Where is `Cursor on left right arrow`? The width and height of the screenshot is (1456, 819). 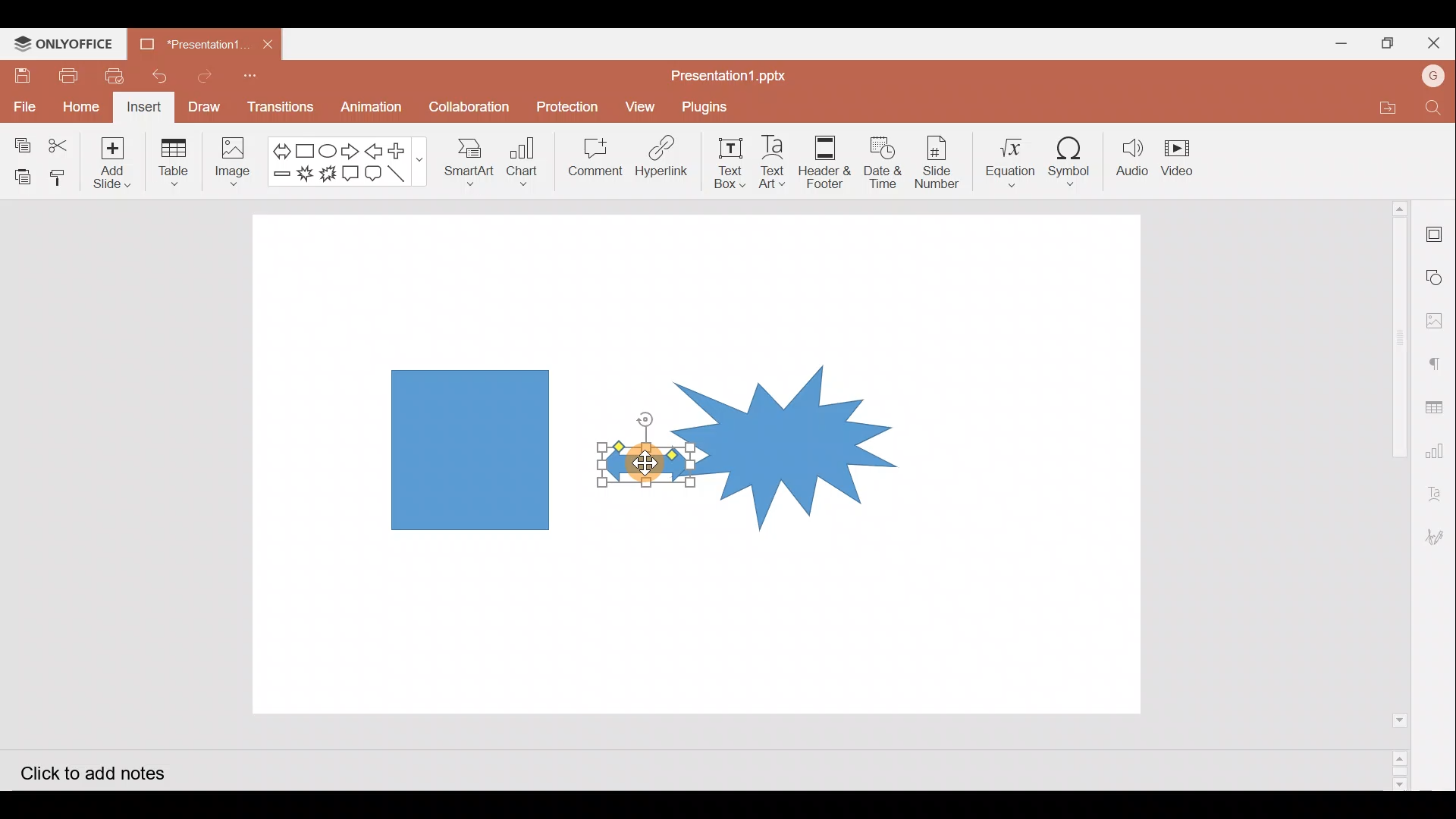 Cursor on left right arrow is located at coordinates (636, 475).